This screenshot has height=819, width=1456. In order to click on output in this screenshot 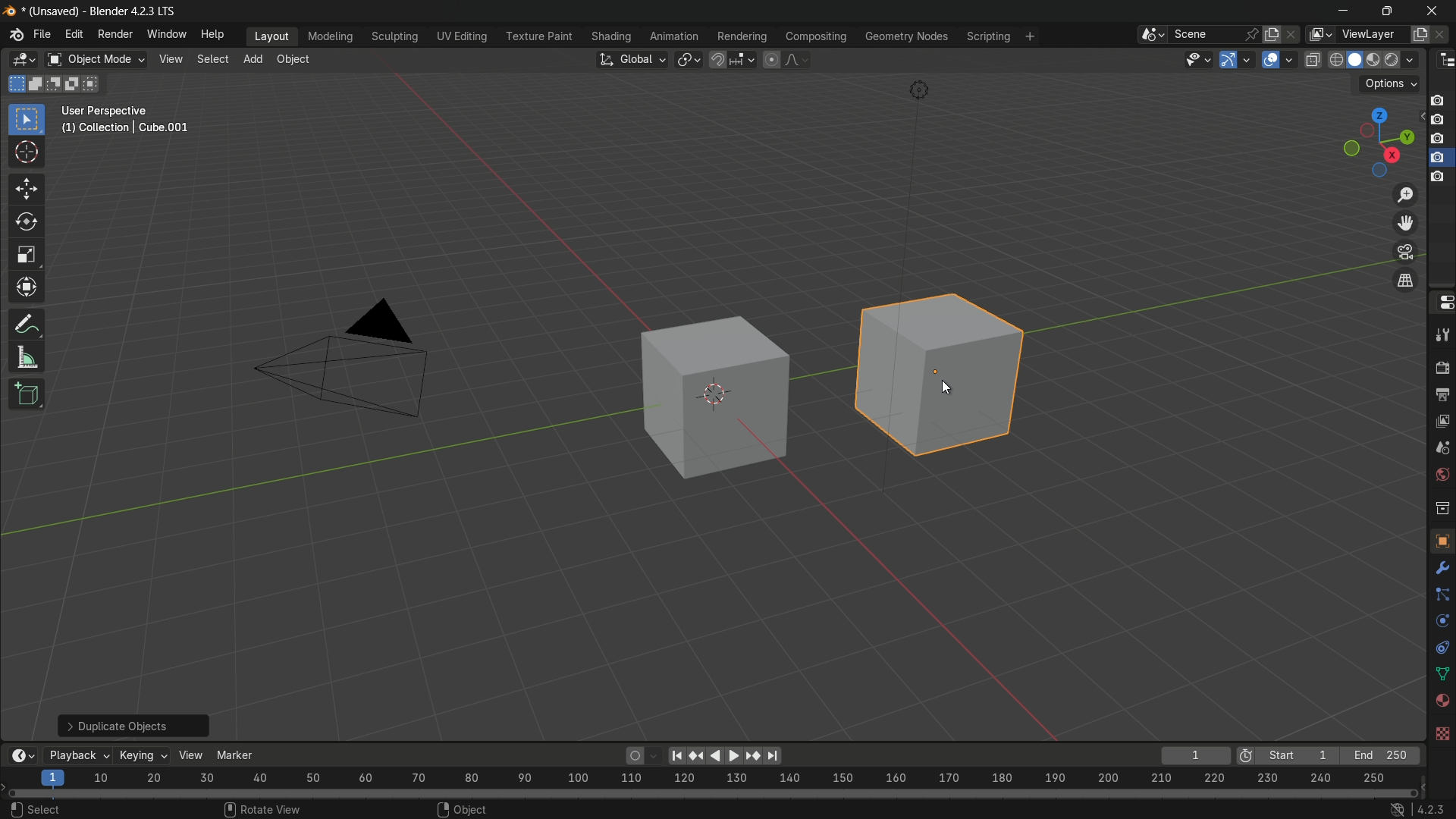, I will do `click(1442, 394)`.